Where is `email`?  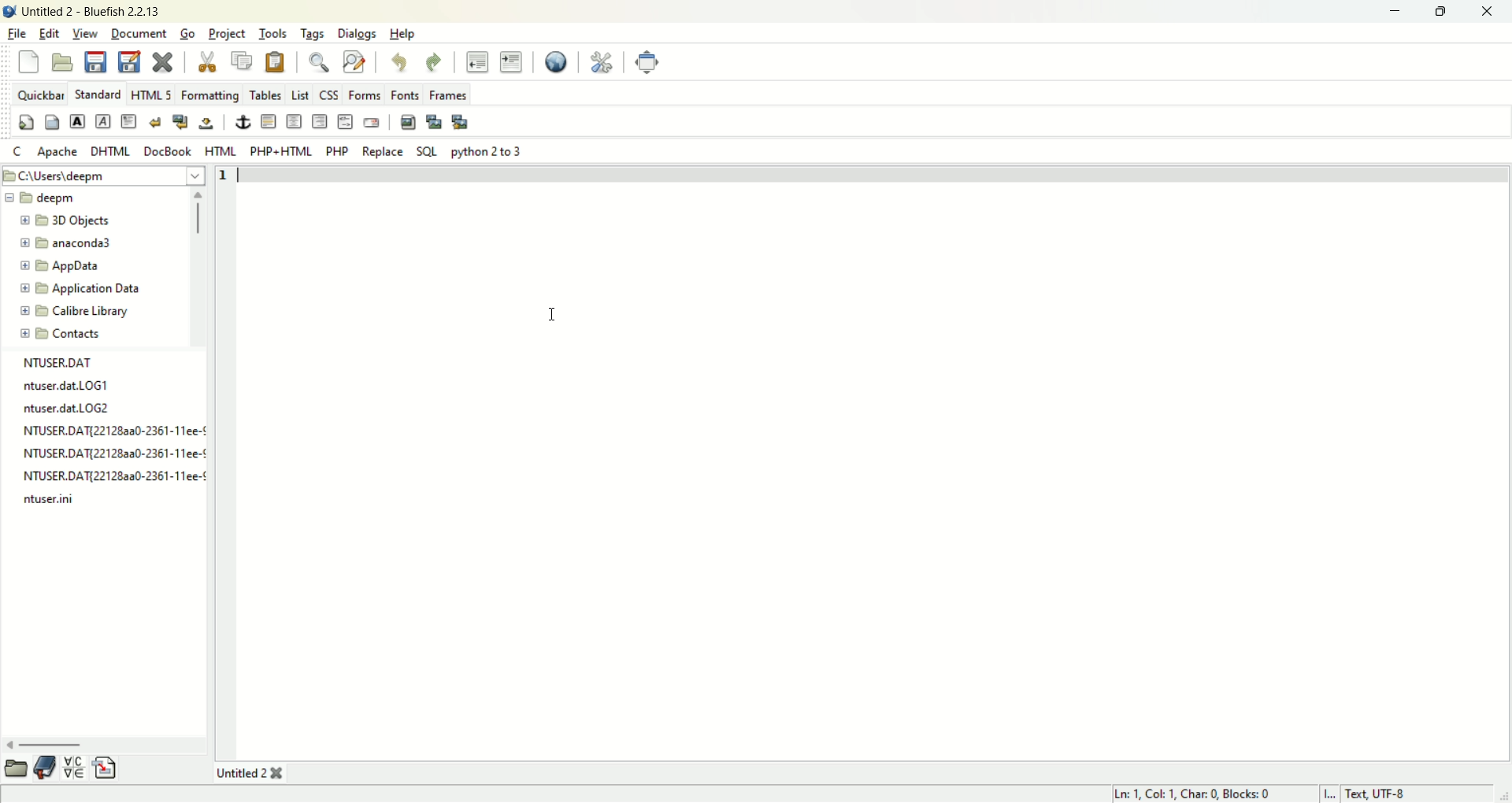 email is located at coordinates (371, 121).